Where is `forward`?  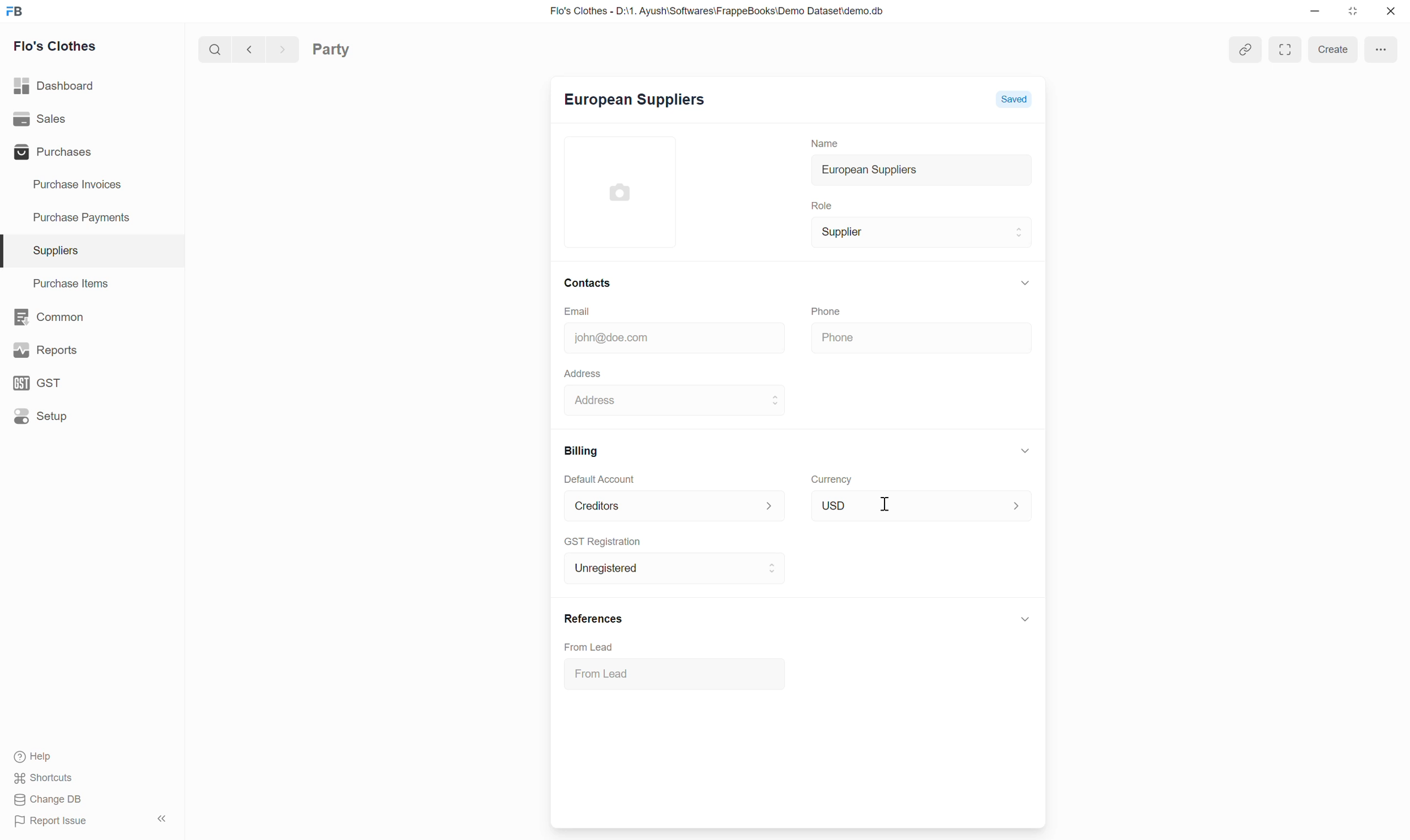
forward is located at coordinates (279, 48).